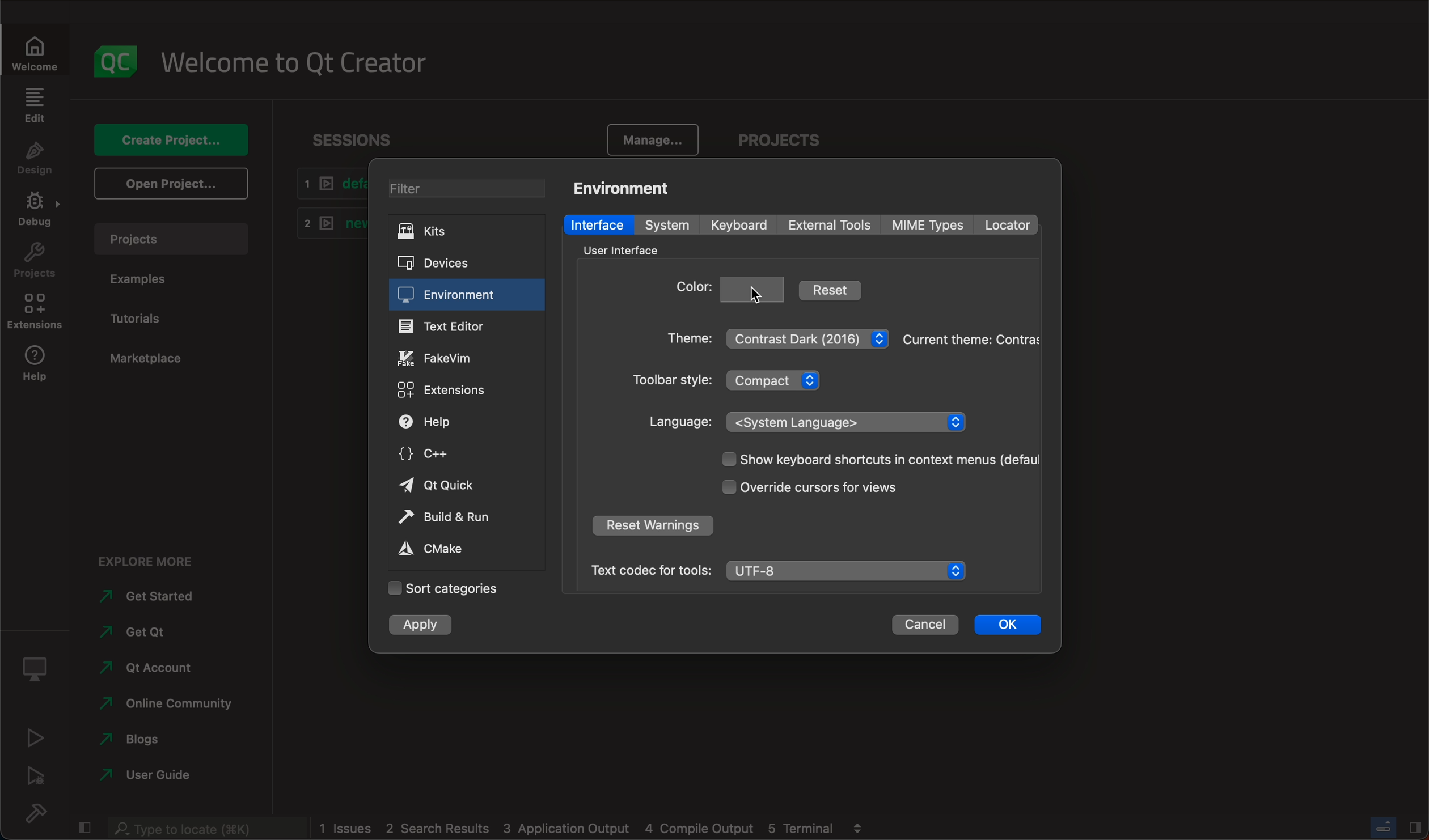 This screenshot has width=1429, height=840. What do you see at coordinates (458, 422) in the screenshot?
I see `help` at bounding box center [458, 422].